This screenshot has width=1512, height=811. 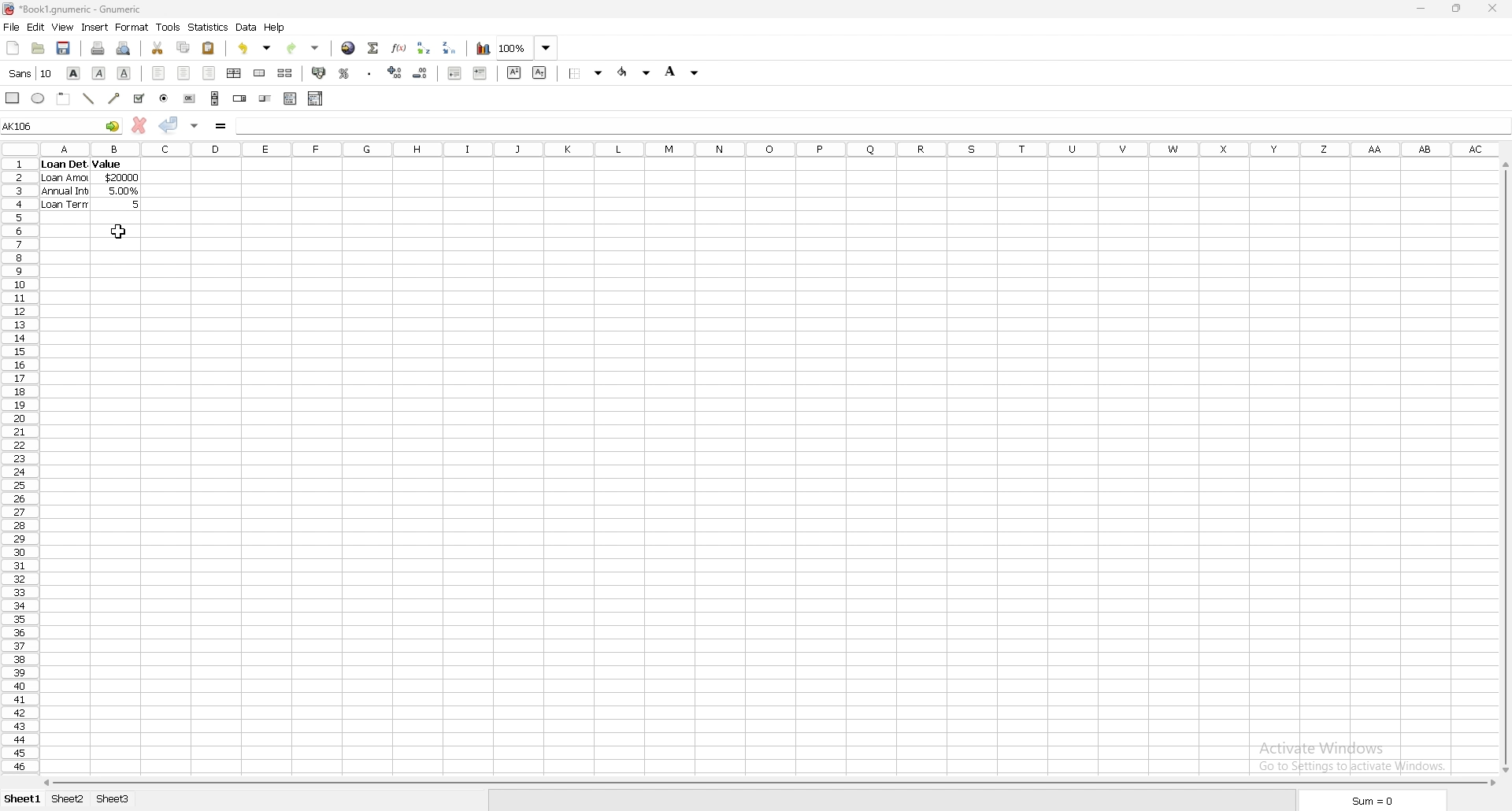 What do you see at coordinates (285, 72) in the screenshot?
I see `split merged cells` at bounding box center [285, 72].